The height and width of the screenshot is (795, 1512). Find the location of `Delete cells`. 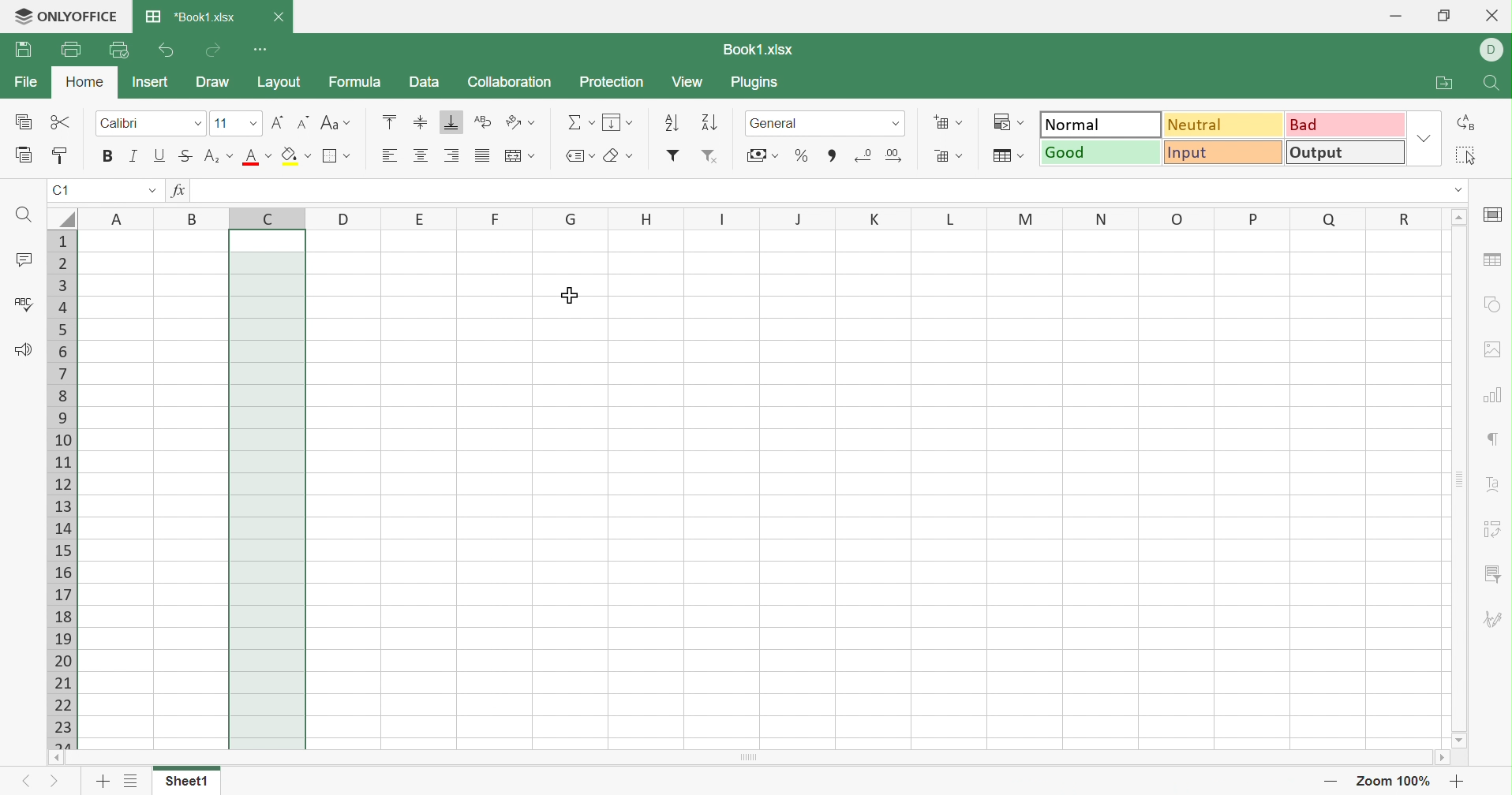

Delete cells is located at coordinates (941, 155).